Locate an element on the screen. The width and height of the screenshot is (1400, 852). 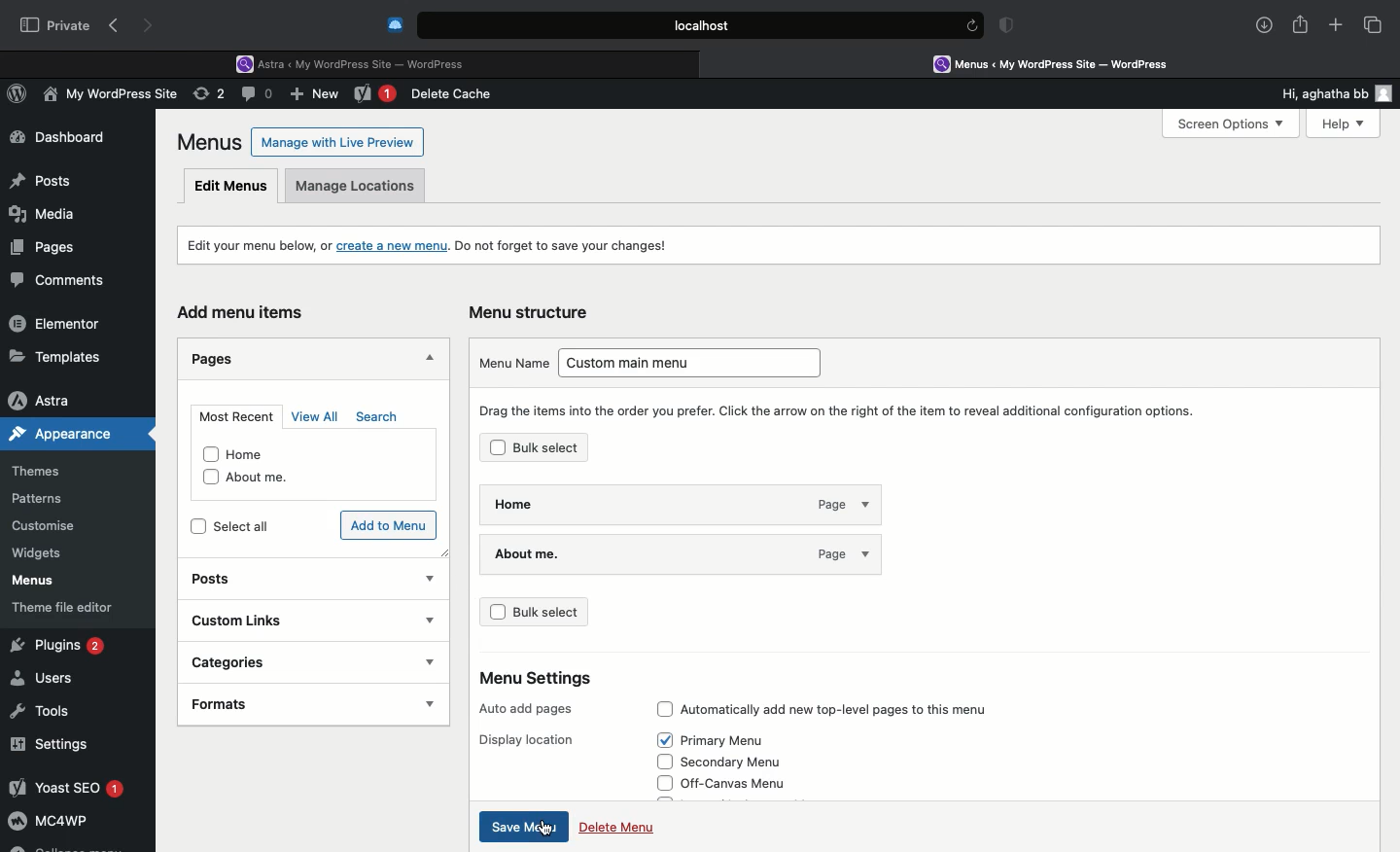
Delete cache is located at coordinates (455, 94).